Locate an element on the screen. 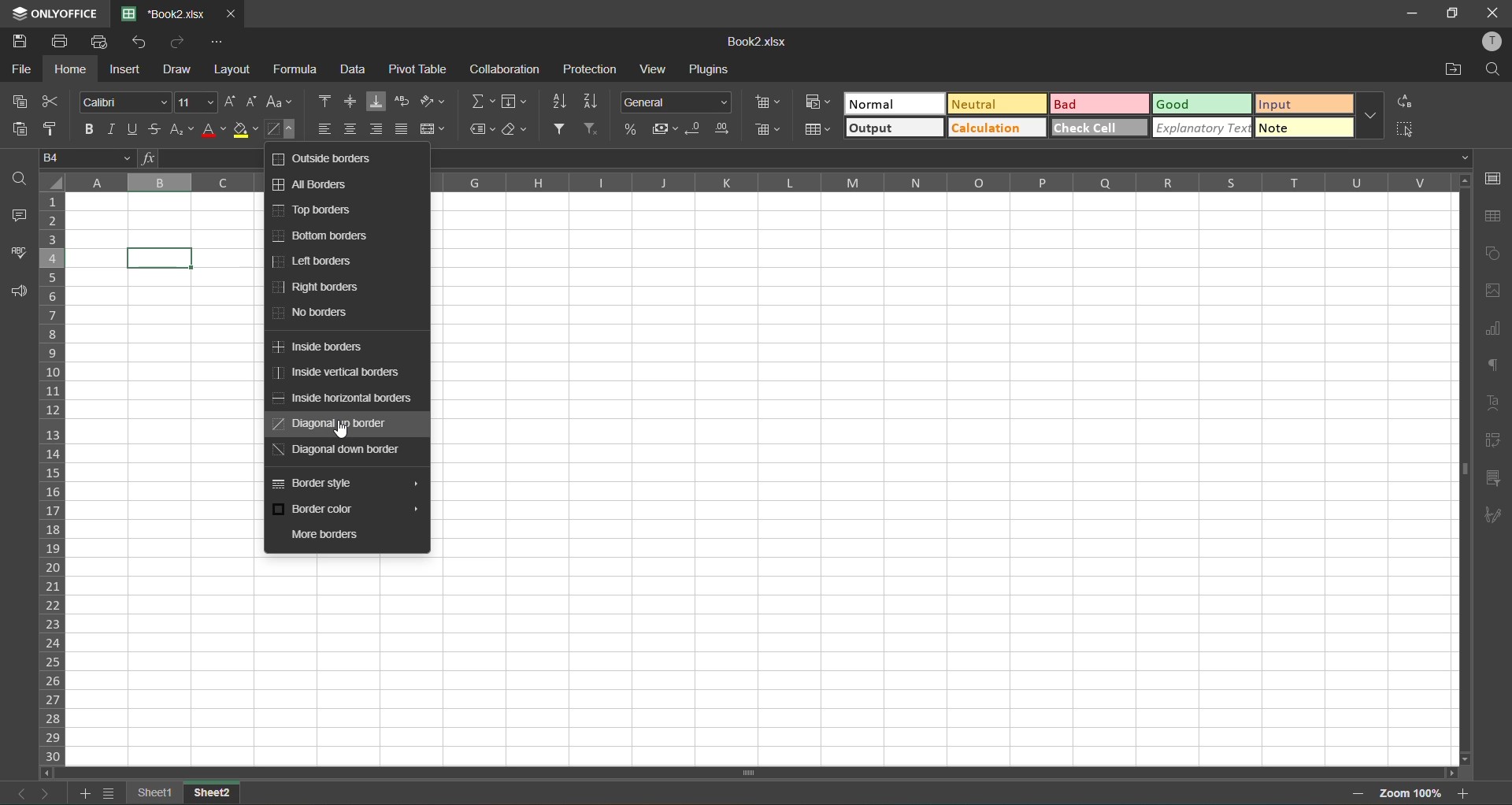 The height and width of the screenshot is (805, 1512). layout is located at coordinates (231, 70).